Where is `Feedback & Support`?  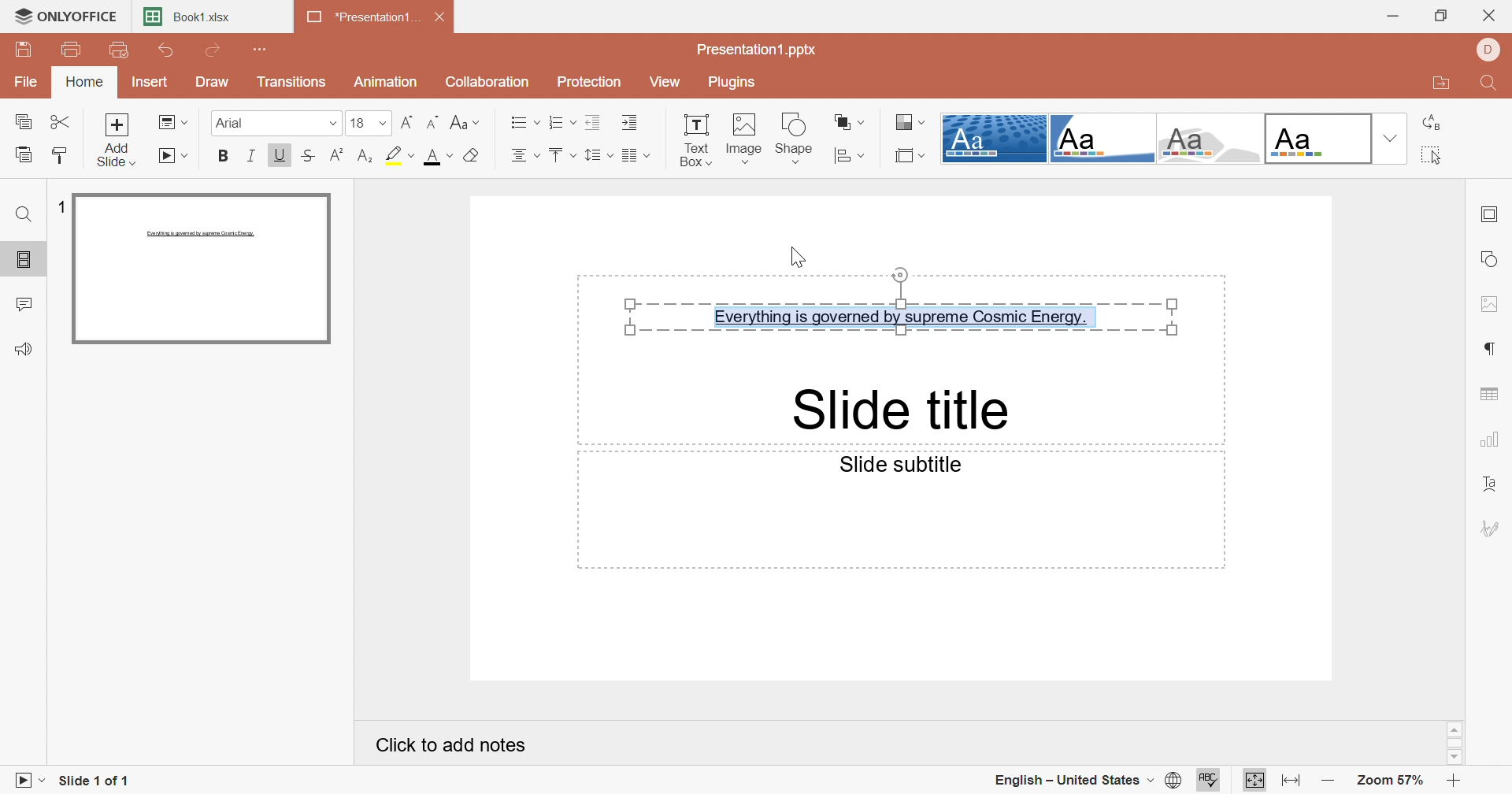 Feedback & Support is located at coordinates (24, 347).